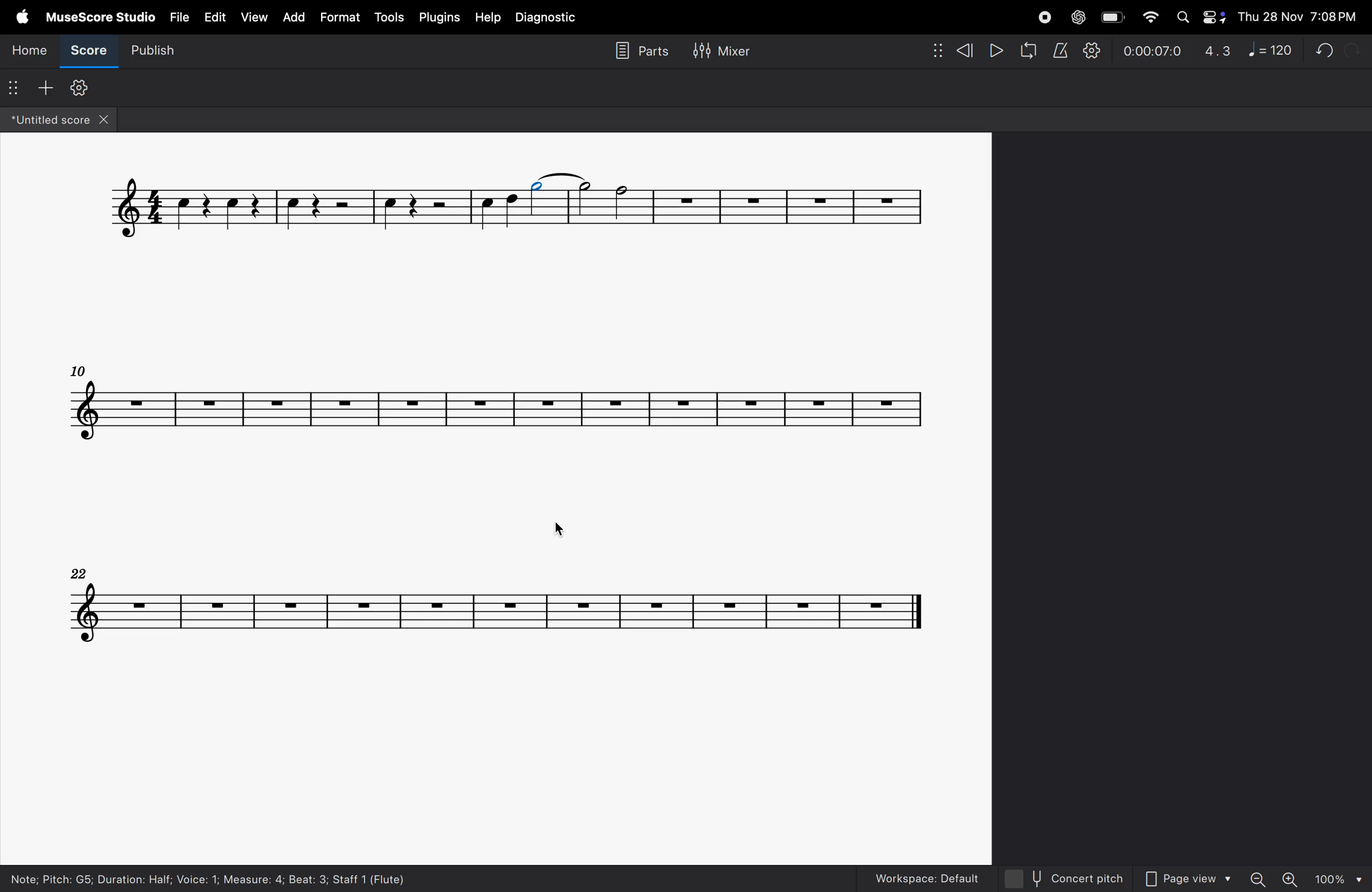  What do you see at coordinates (1219, 49) in the screenshot?
I see `4.3` at bounding box center [1219, 49].